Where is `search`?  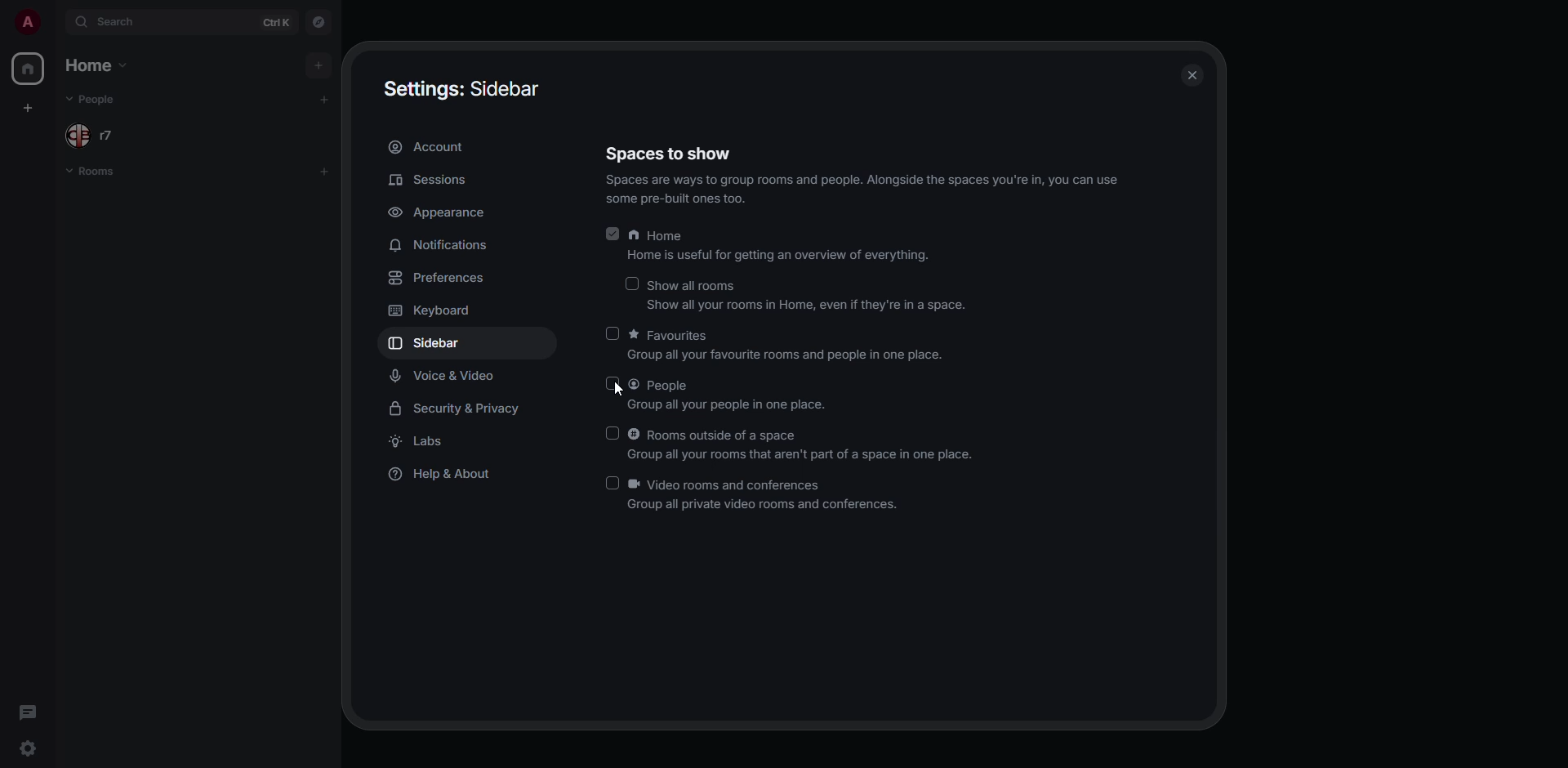 search is located at coordinates (120, 25).